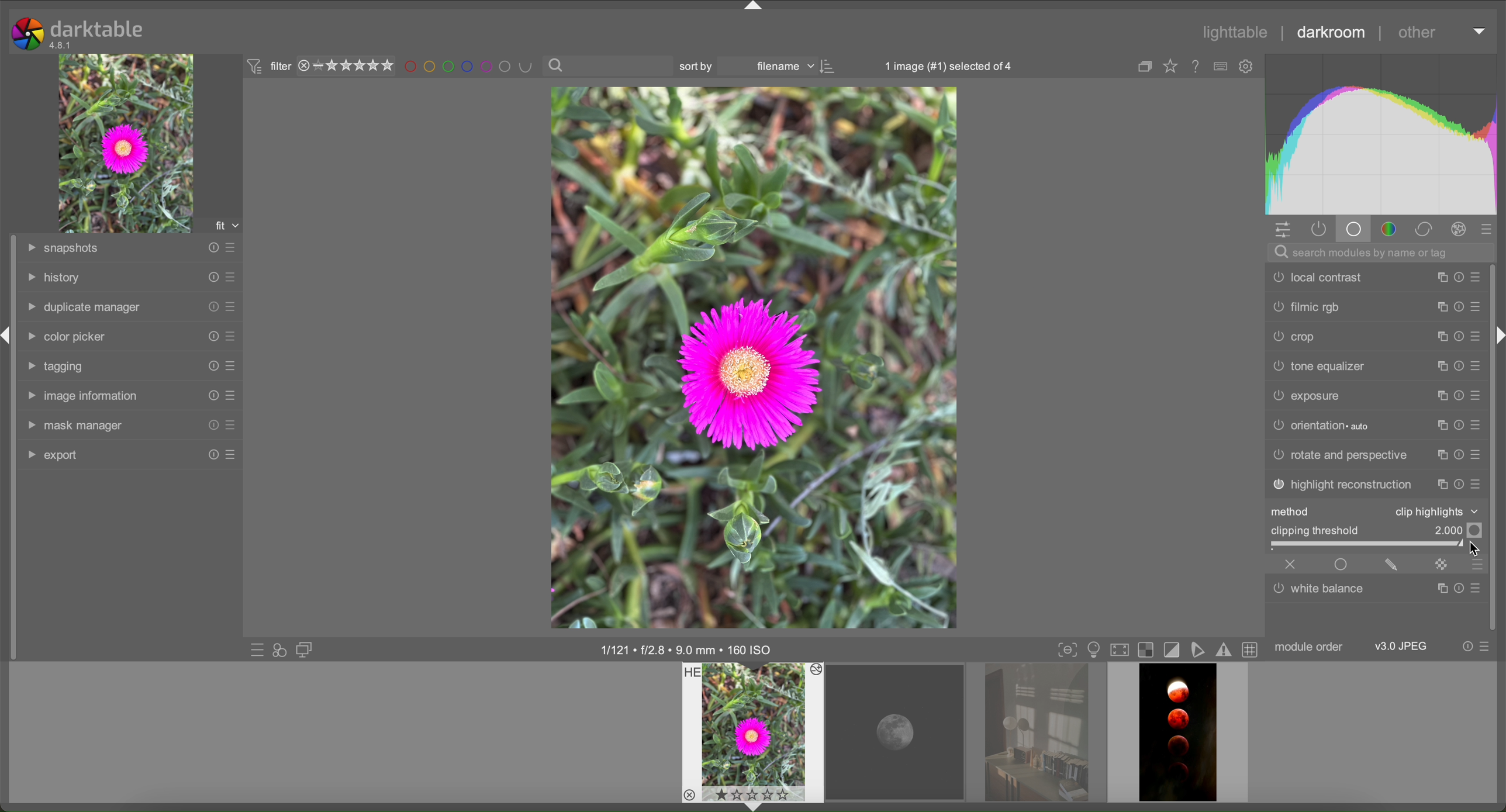  I want to click on close, so click(1291, 565).